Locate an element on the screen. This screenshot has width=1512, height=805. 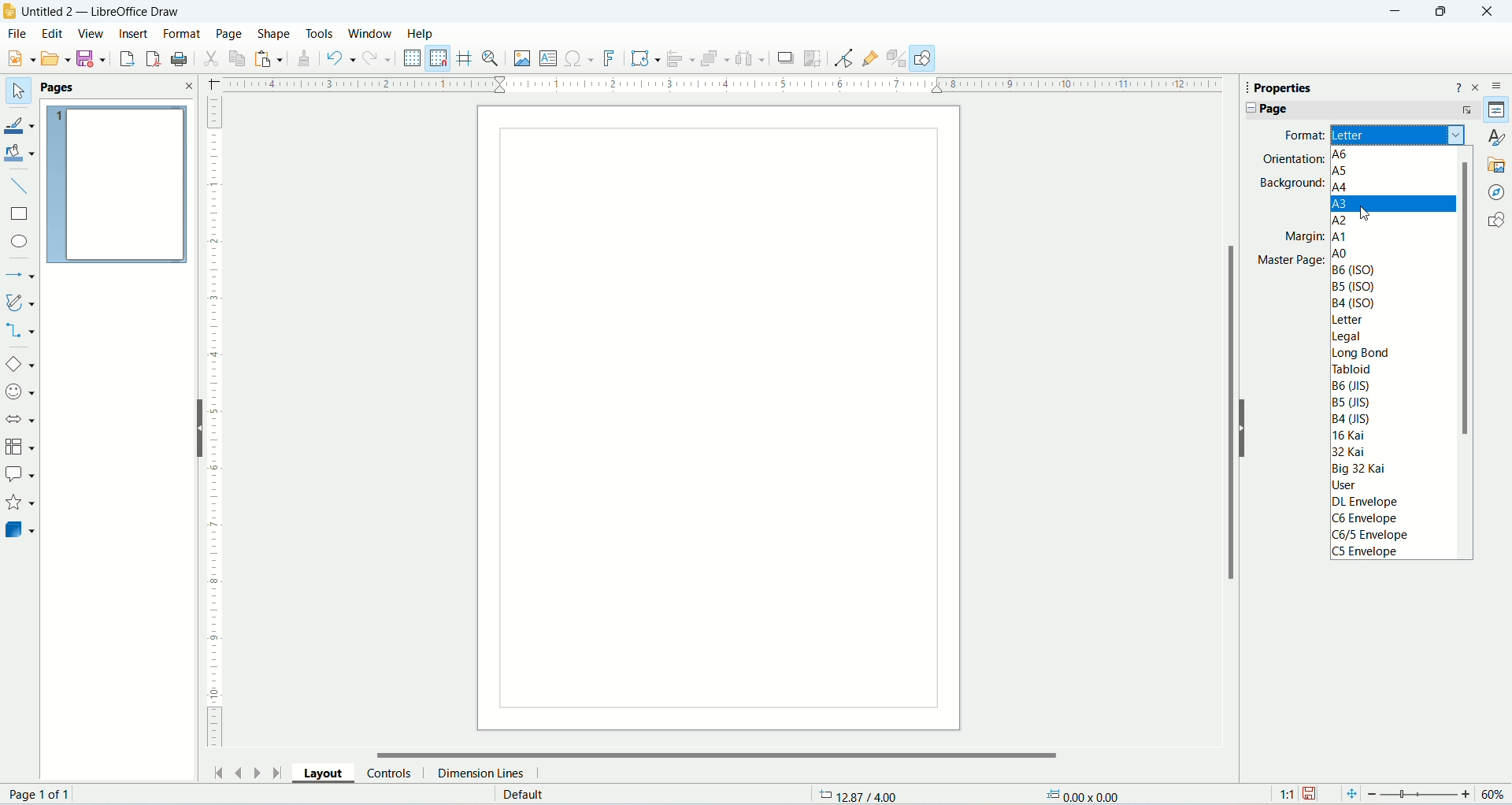
insert textbox is located at coordinates (546, 59).